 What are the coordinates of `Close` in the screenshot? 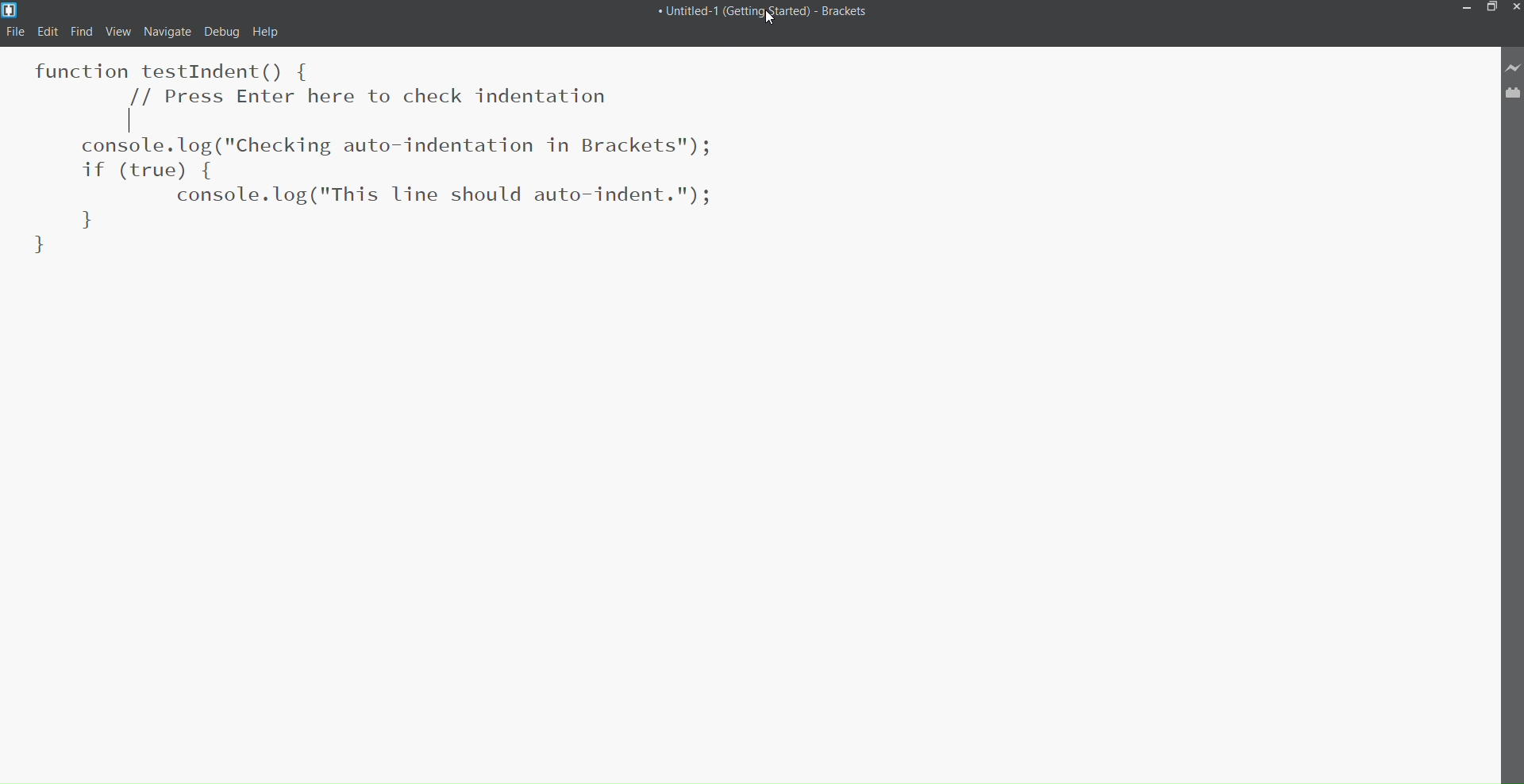 It's located at (1518, 7).